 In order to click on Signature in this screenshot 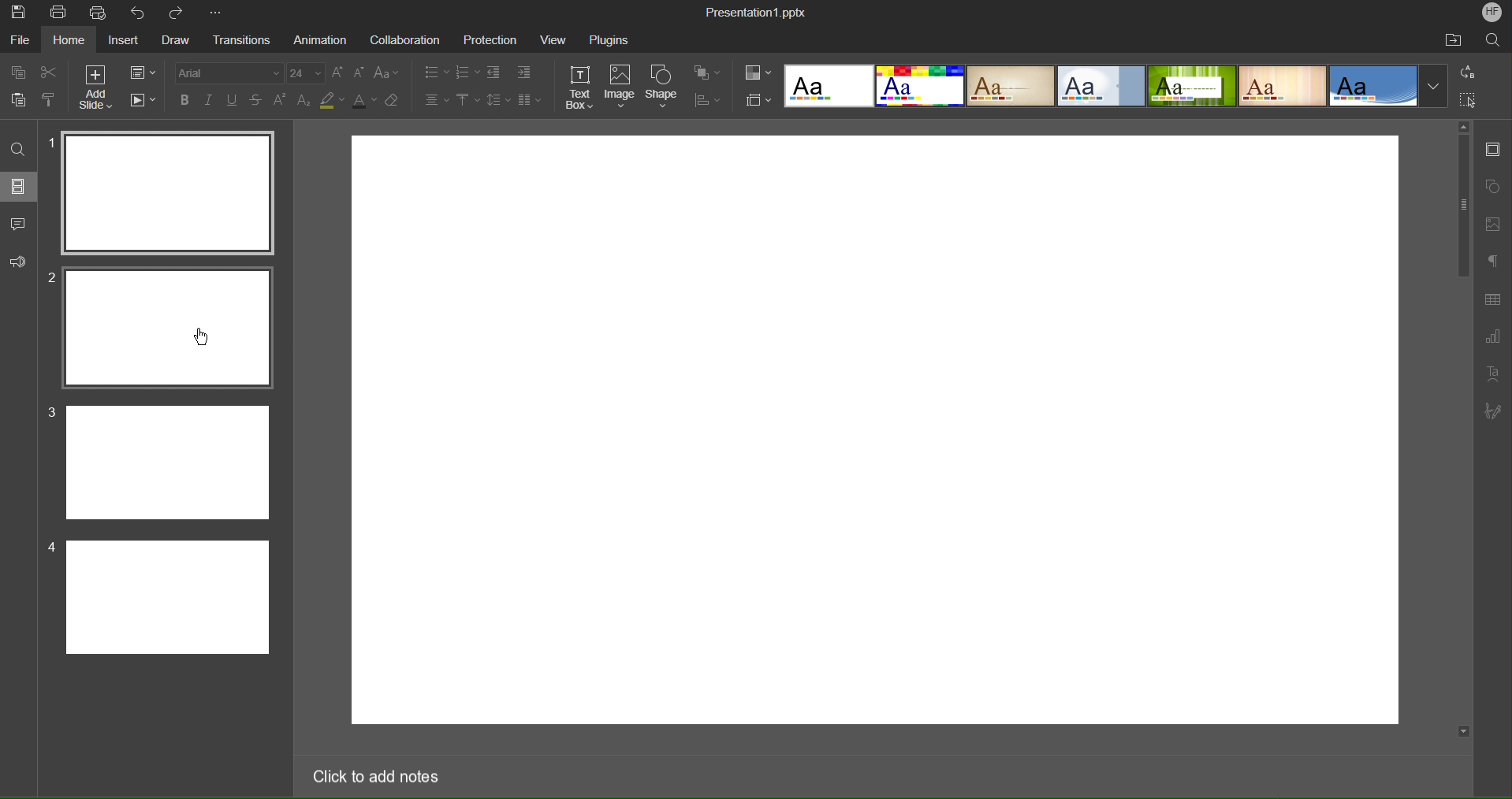, I will do `click(1496, 411)`.